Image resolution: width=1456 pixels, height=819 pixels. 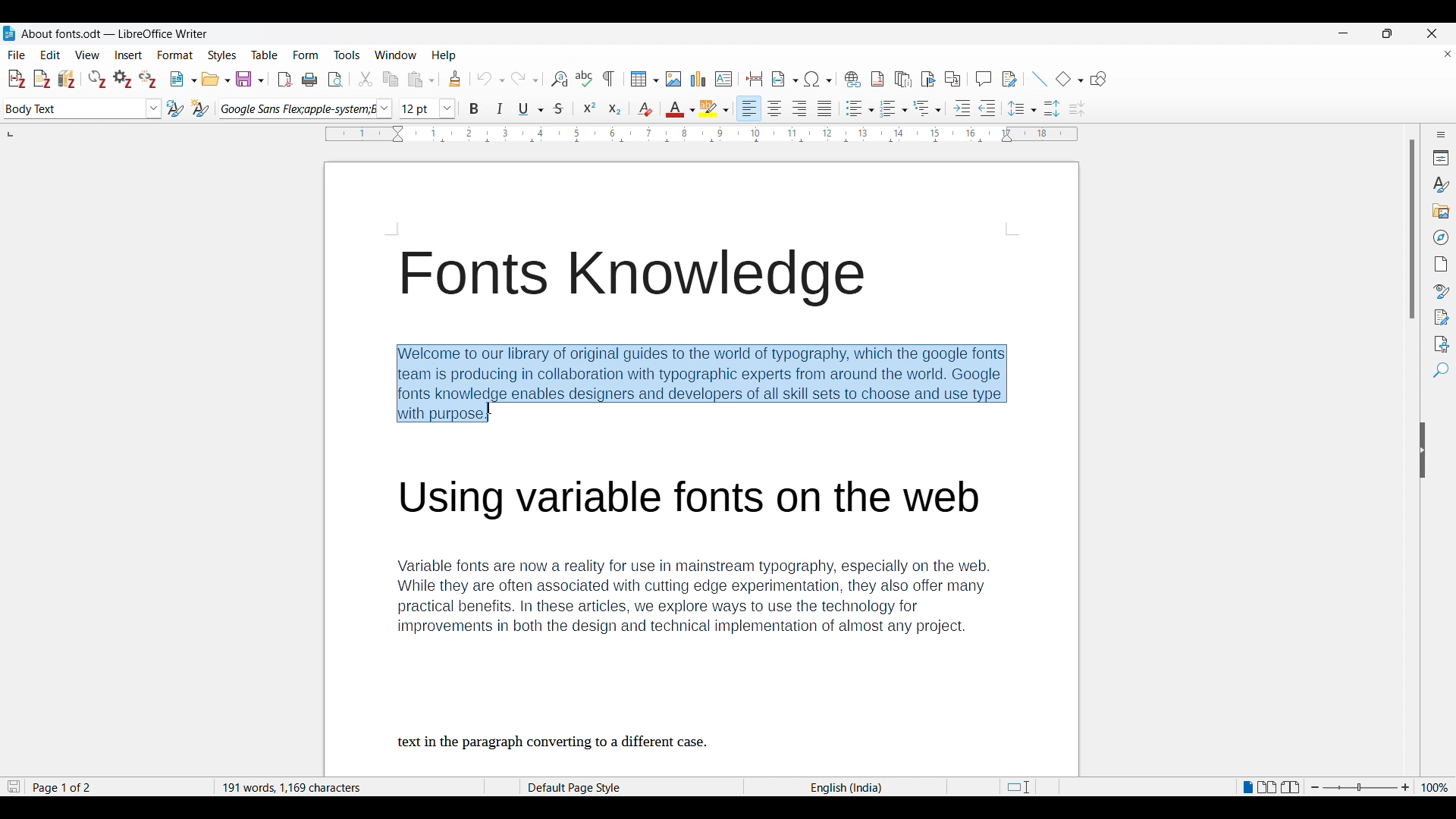 I want to click on Vertical slide bar, so click(x=1413, y=229).